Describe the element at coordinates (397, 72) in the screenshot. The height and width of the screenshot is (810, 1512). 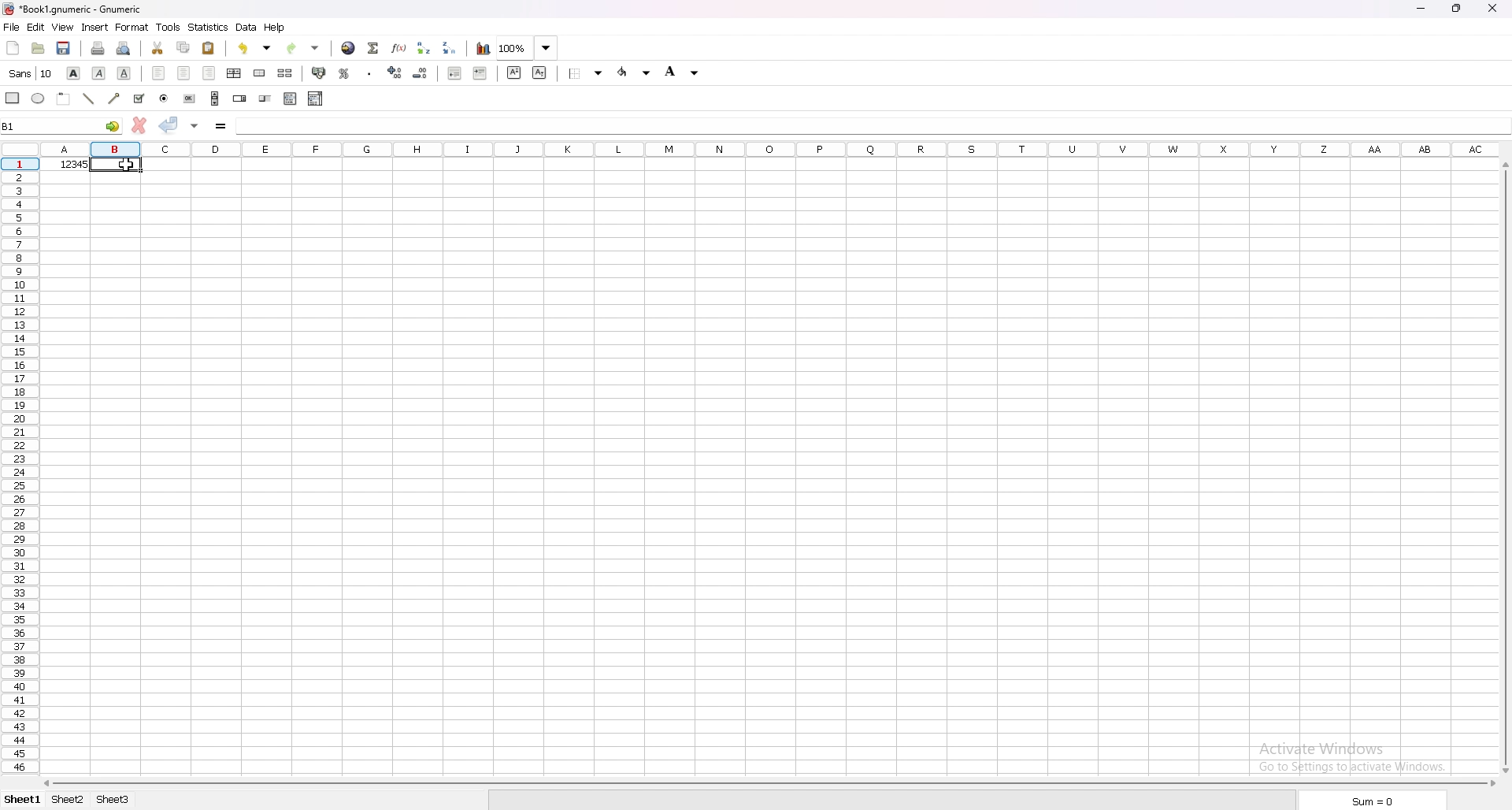
I see `increase decimals` at that location.